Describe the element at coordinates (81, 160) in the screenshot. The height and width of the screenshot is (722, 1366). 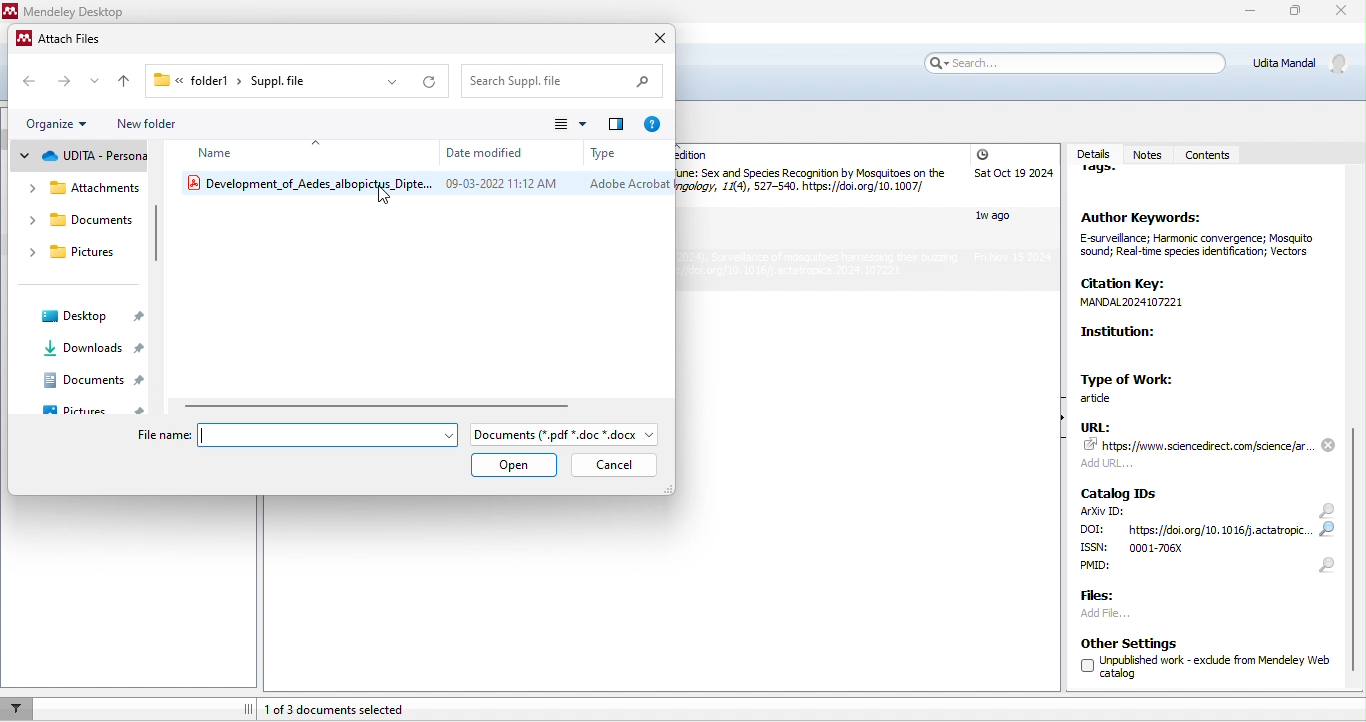
I see `udita personal` at that location.